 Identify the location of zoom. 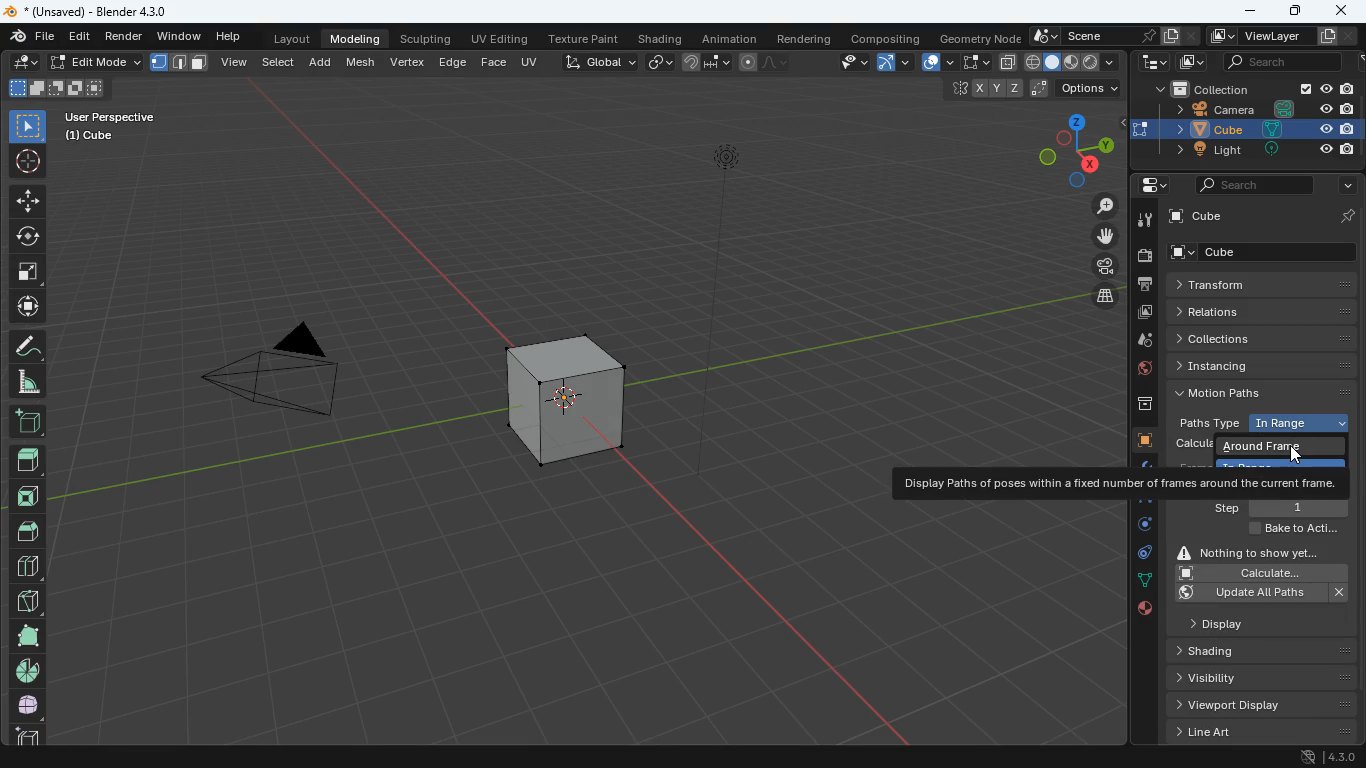
(1097, 207).